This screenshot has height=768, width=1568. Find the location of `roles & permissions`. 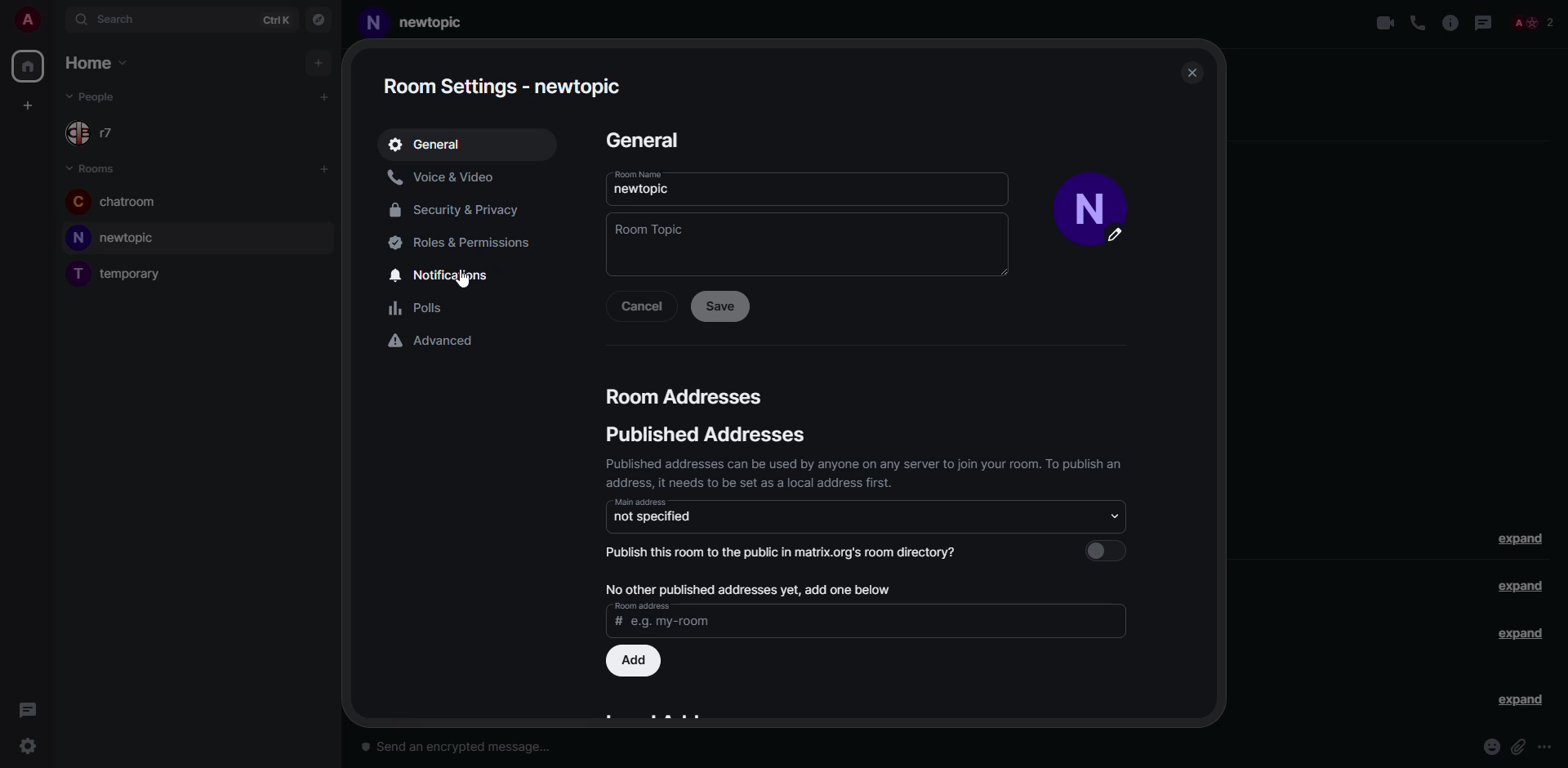

roles & permissions is located at coordinates (465, 241).